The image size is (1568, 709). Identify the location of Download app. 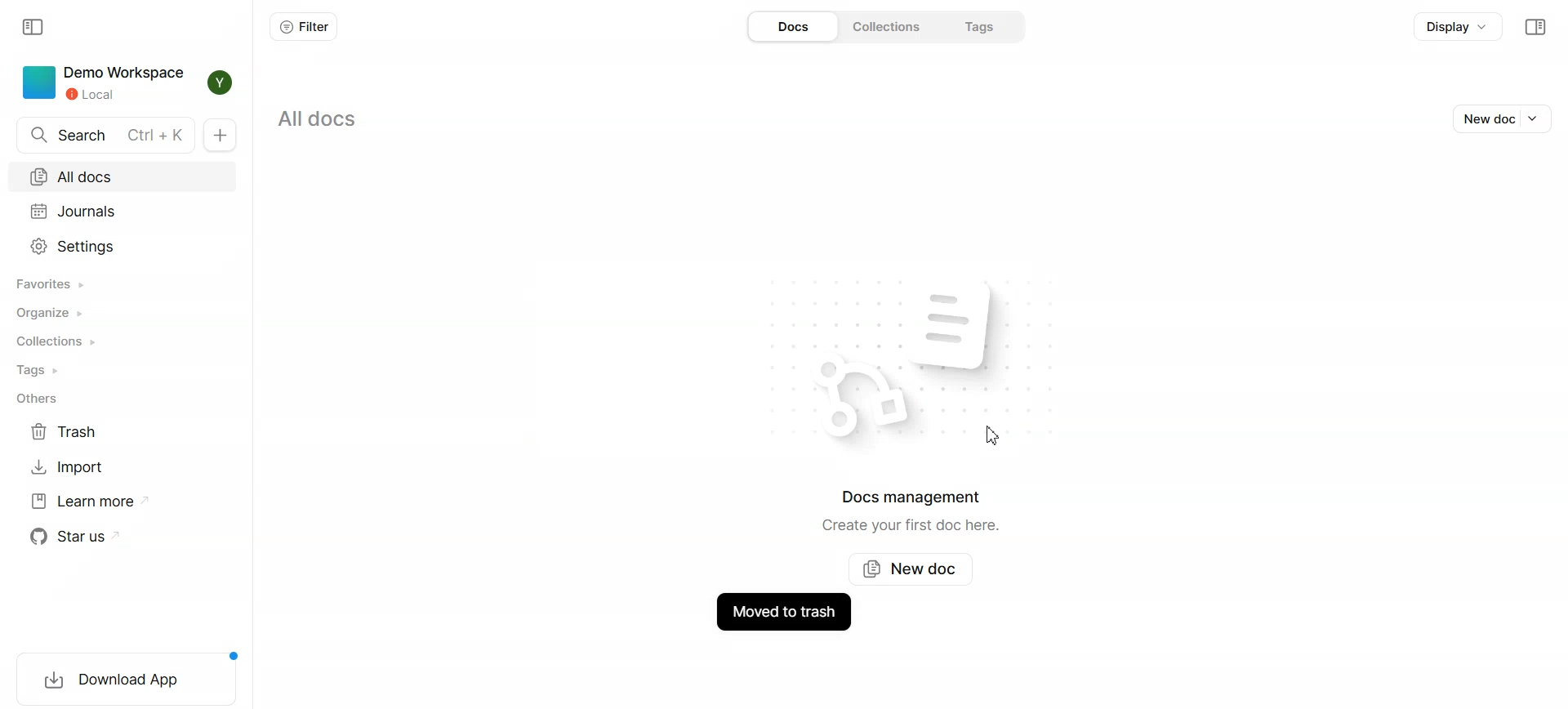
(127, 680).